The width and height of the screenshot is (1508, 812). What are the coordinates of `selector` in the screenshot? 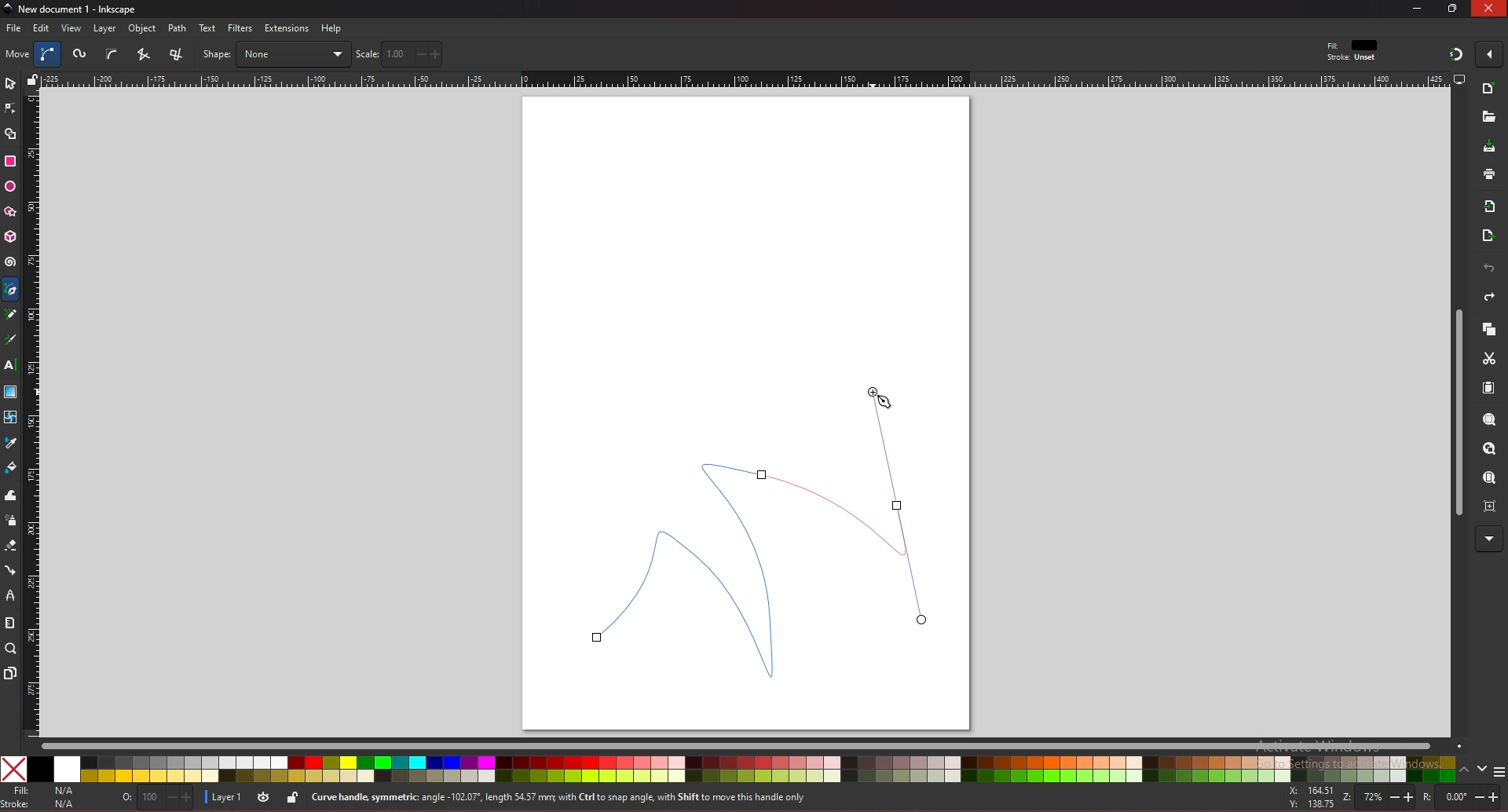 It's located at (10, 83).